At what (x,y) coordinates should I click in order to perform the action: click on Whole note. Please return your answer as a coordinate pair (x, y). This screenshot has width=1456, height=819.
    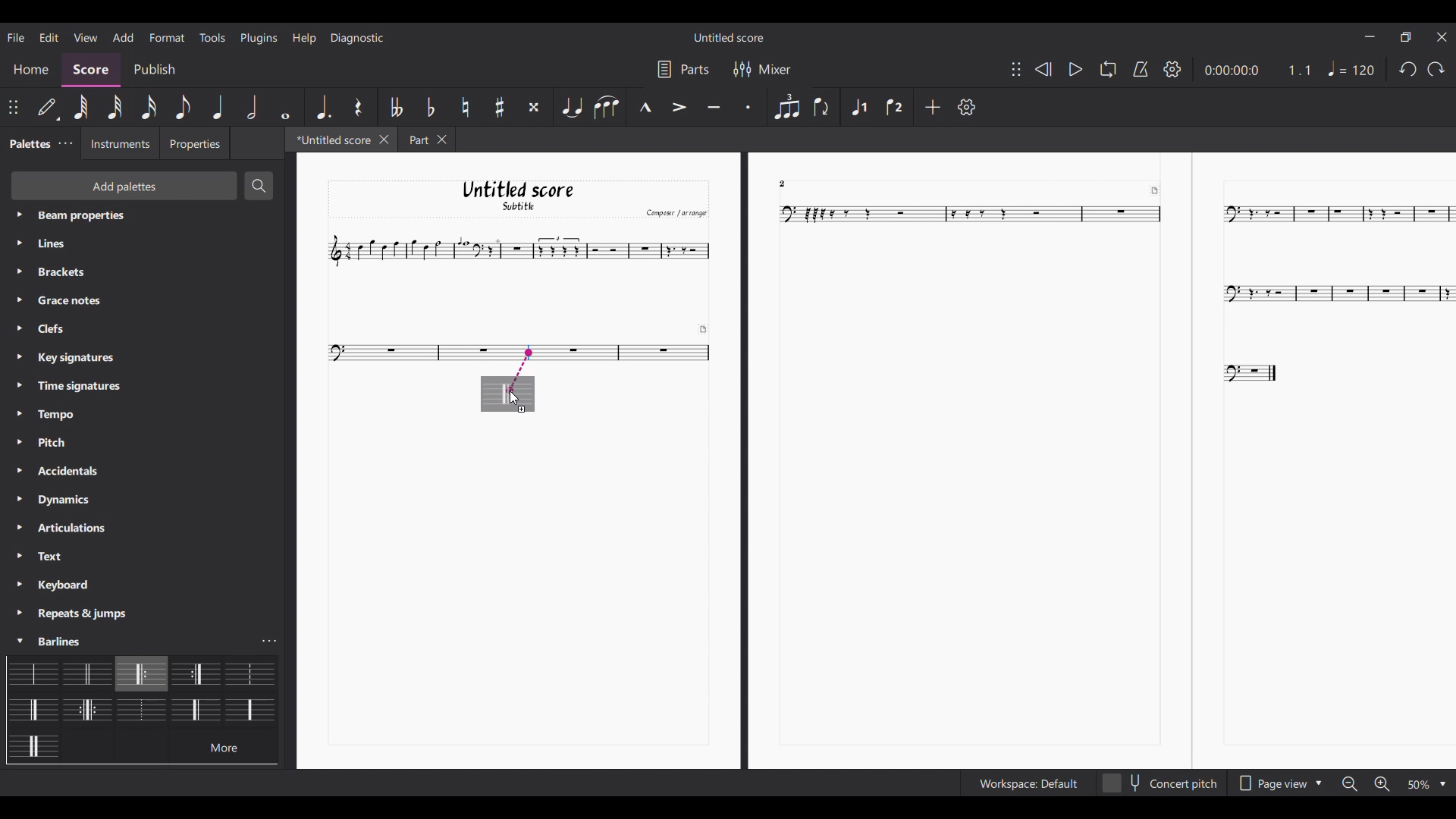
    Looking at the image, I should click on (285, 107).